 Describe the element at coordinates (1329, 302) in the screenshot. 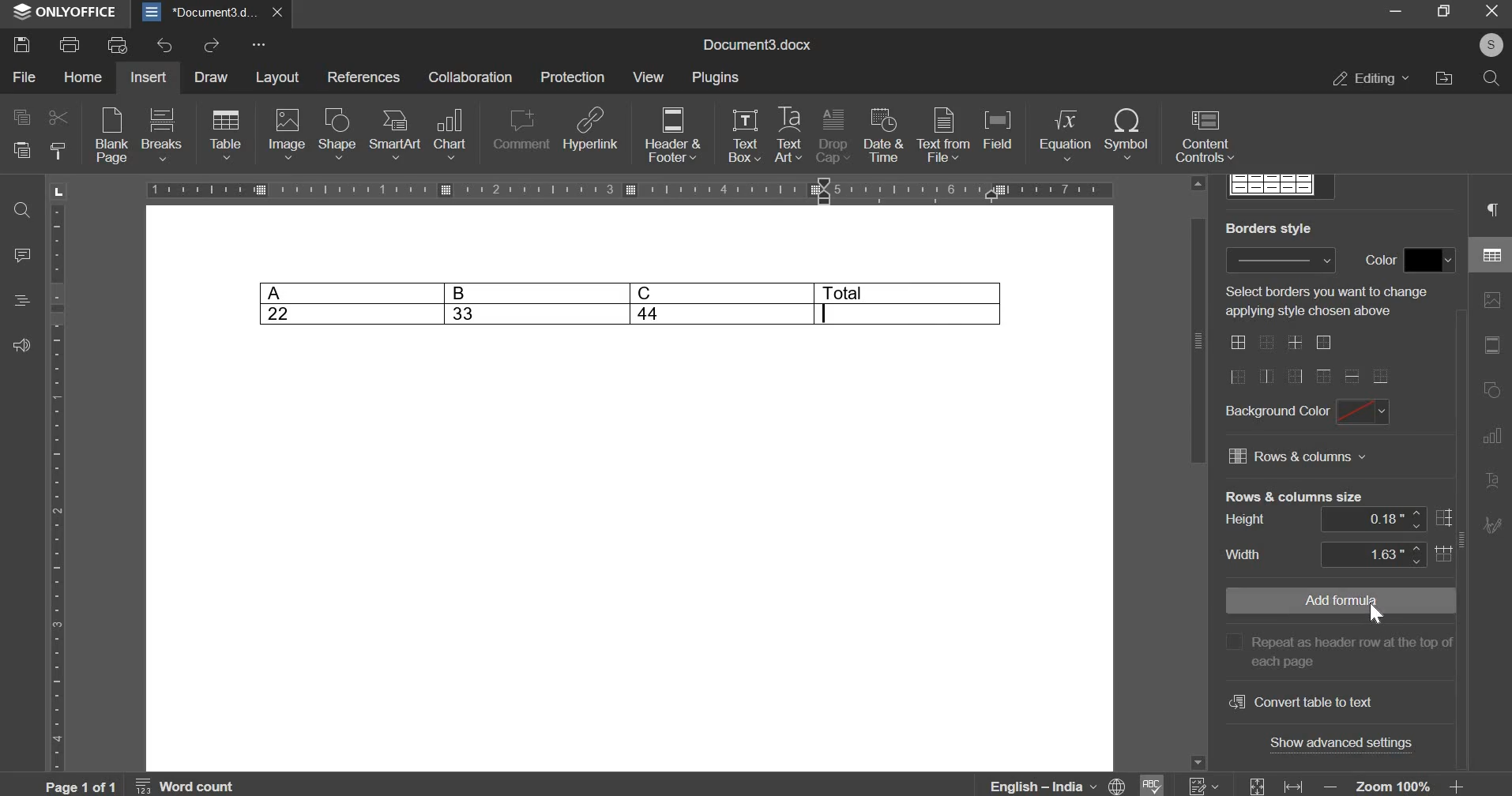

I see `Select borders you want to change
applying style chosen above` at that location.